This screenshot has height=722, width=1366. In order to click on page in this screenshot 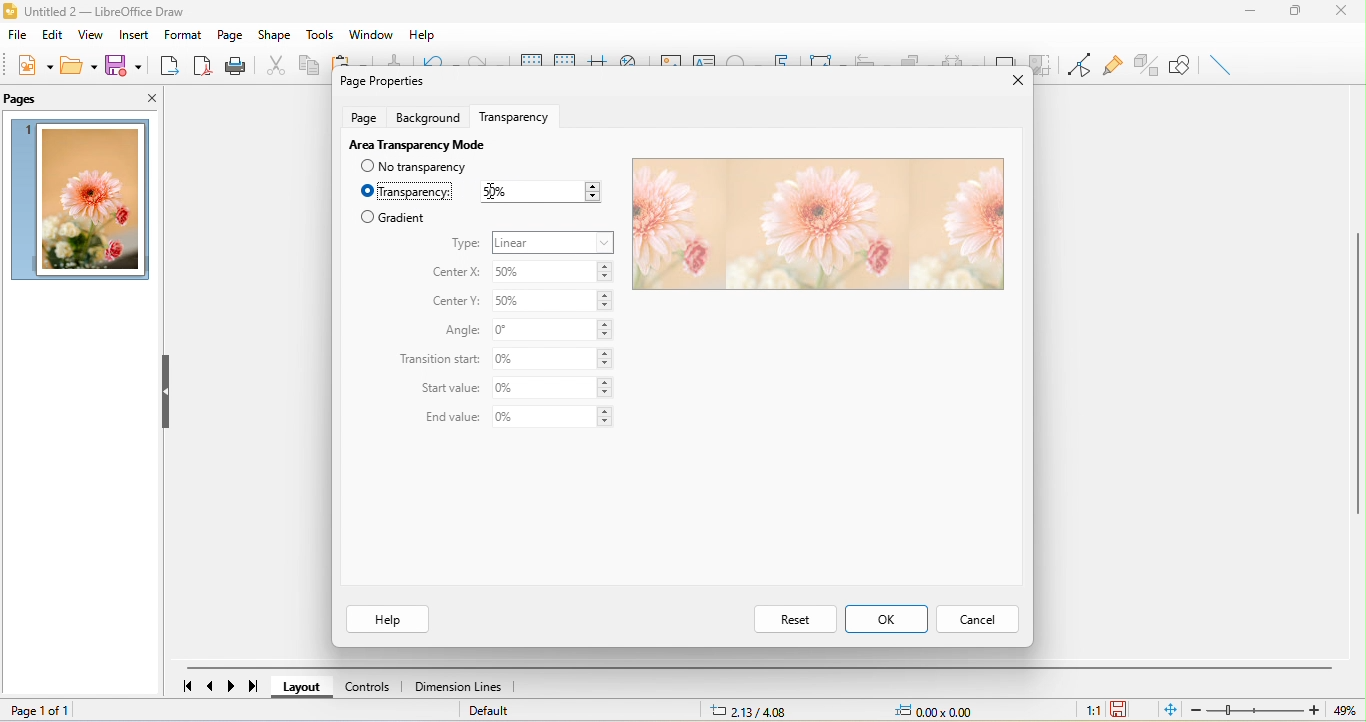, I will do `click(363, 116)`.